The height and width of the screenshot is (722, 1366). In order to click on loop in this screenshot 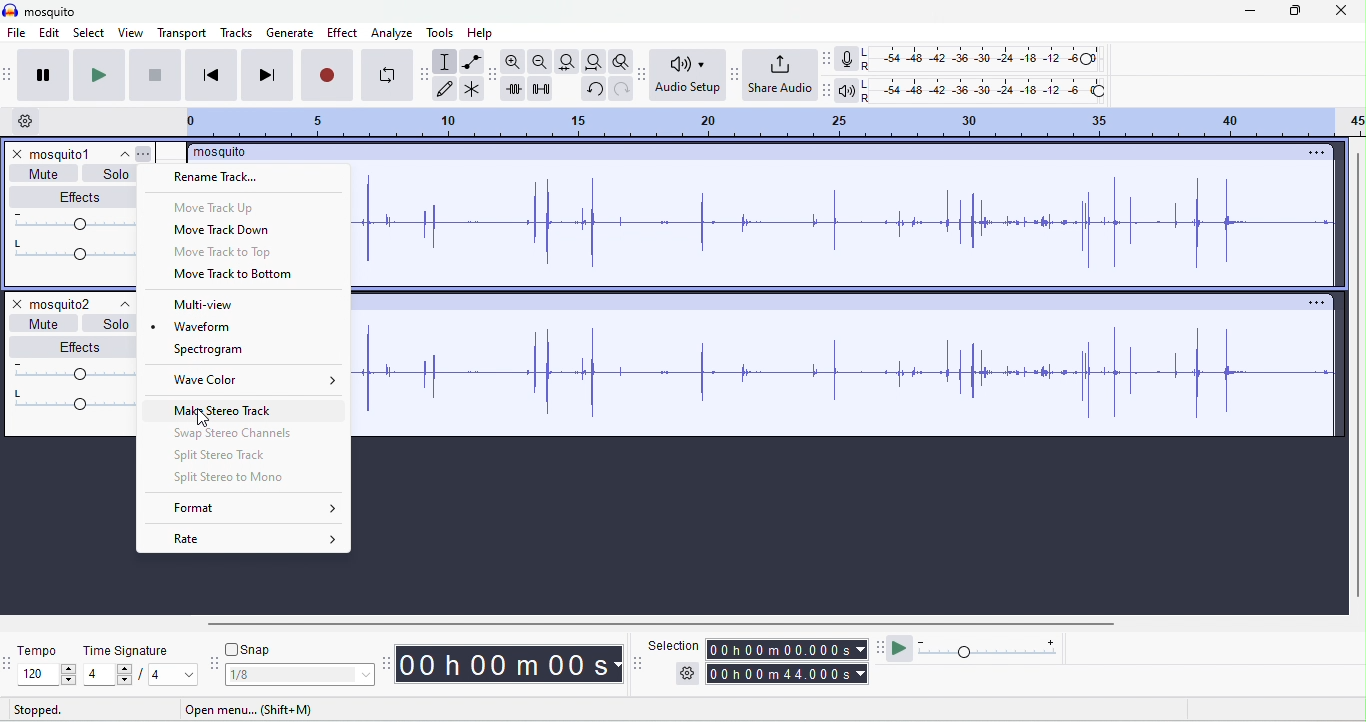, I will do `click(389, 74)`.